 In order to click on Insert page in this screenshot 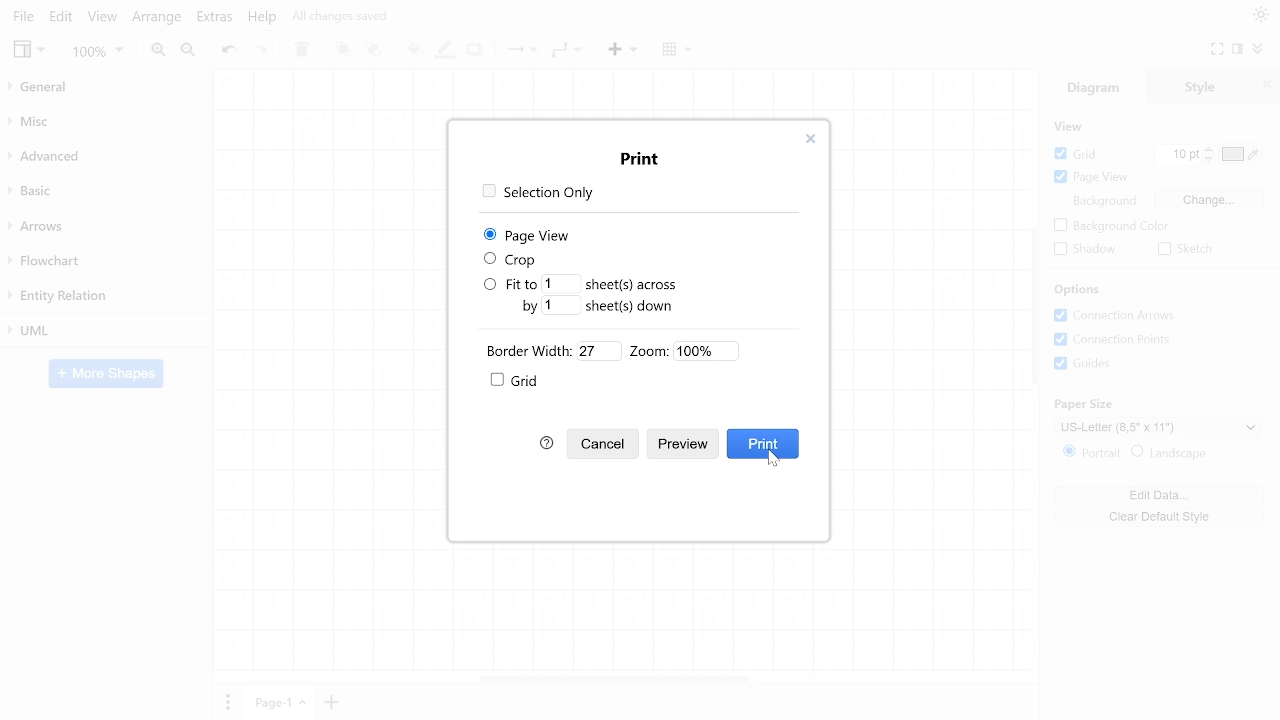, I will do `click(332, 703)`.